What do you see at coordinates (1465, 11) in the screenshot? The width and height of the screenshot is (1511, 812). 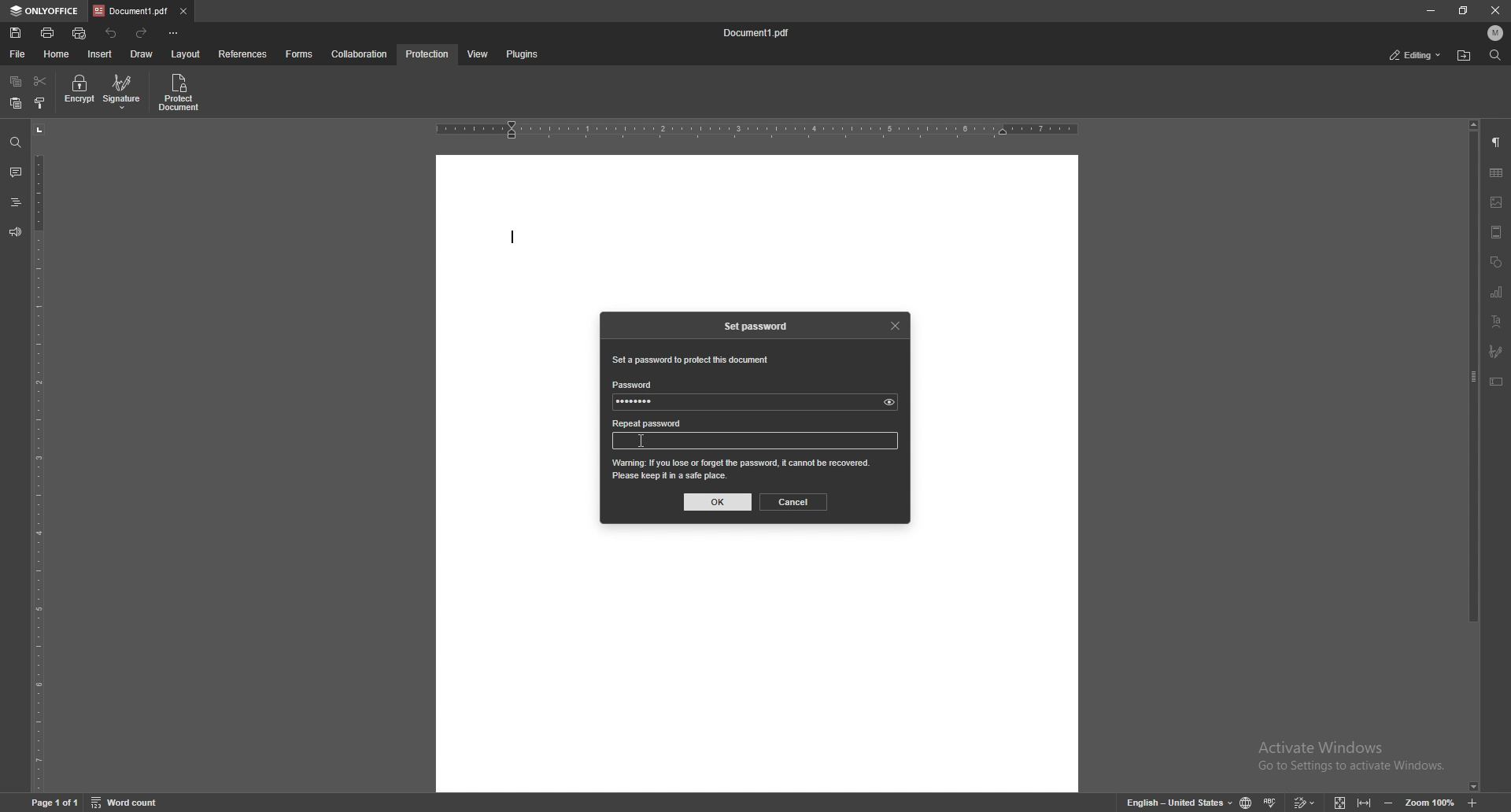 I see `resize` at bounding box center [1465, 11].